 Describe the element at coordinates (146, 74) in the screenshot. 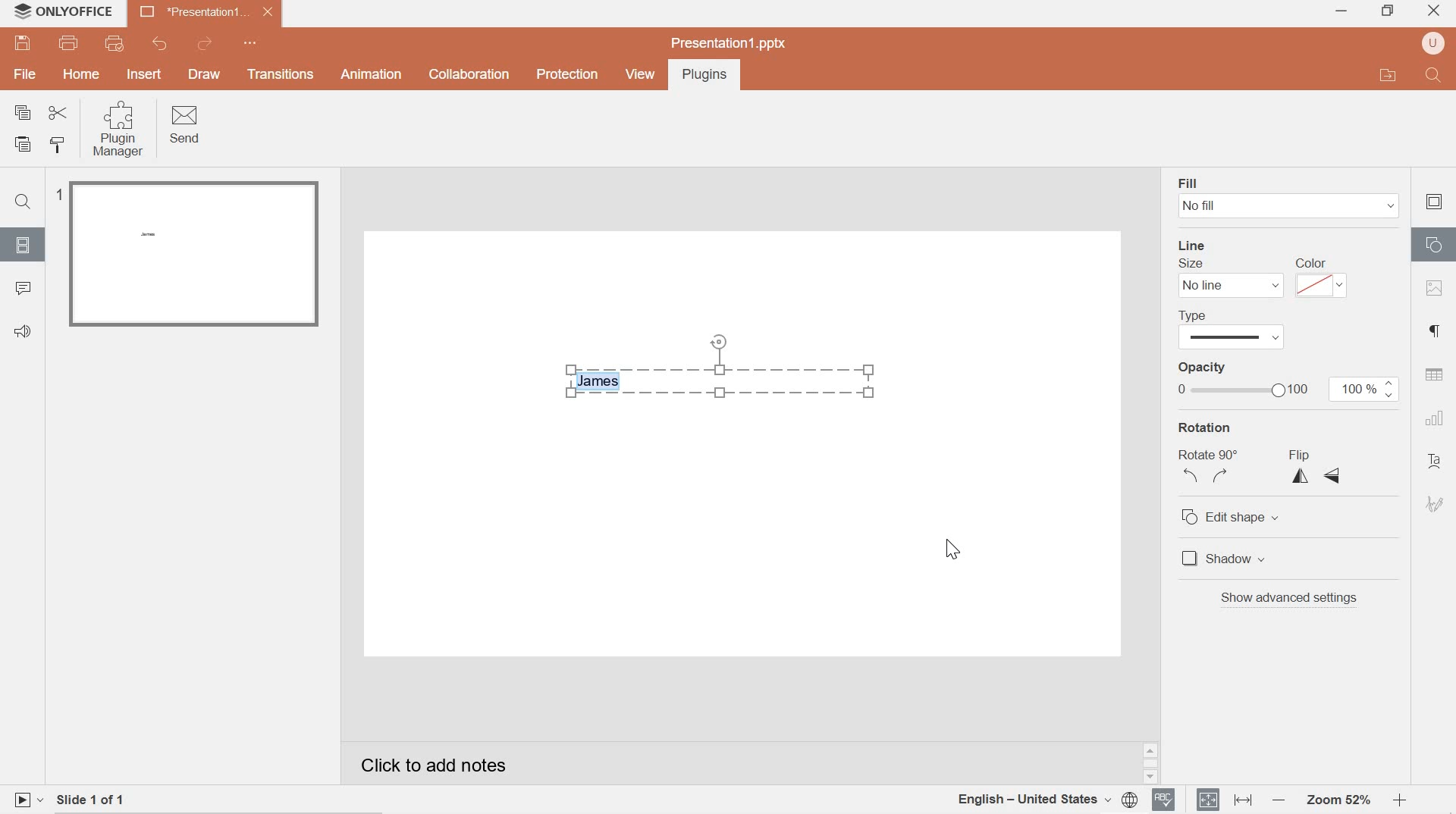

I see `INSERT` at that location.